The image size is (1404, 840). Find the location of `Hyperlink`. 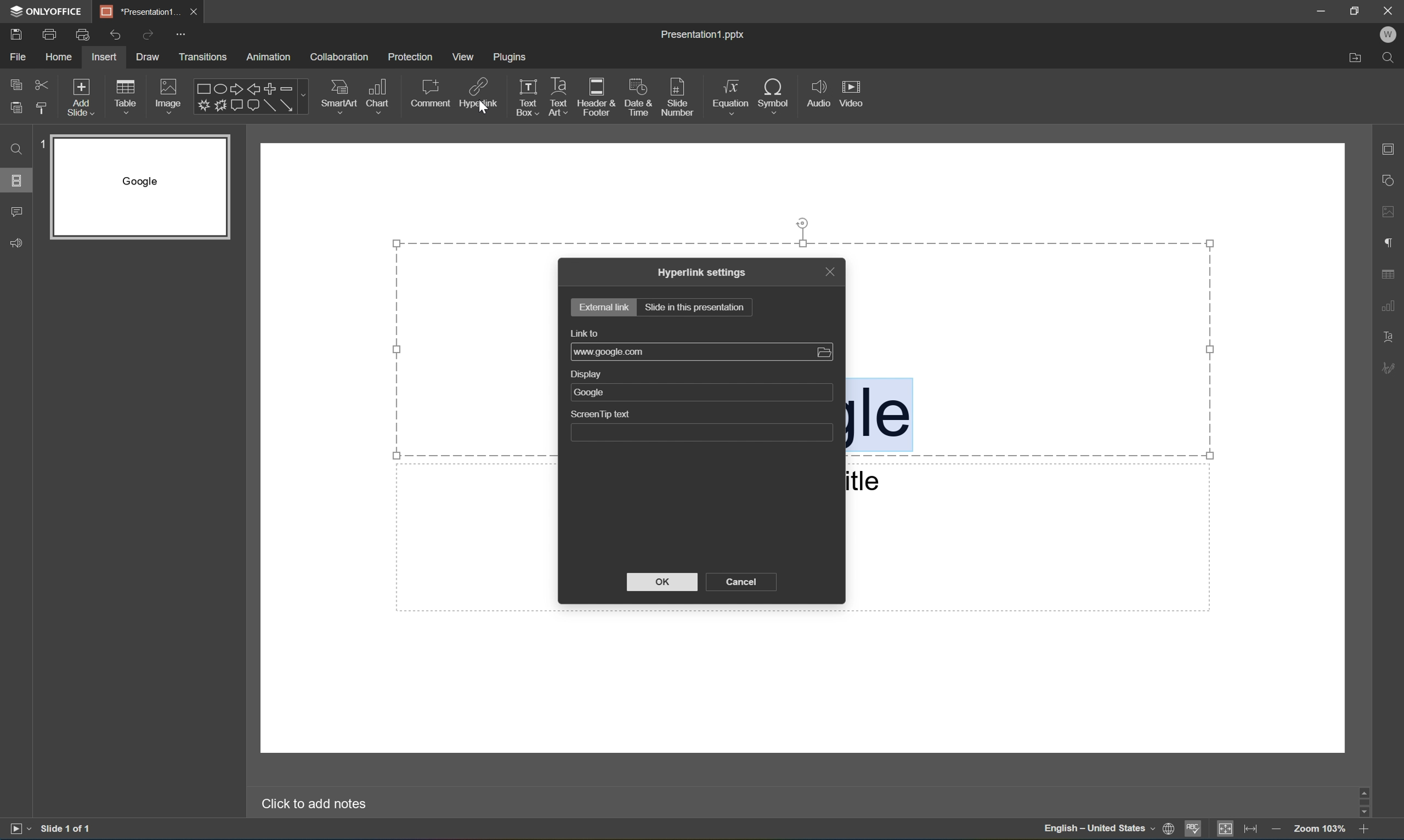

Hyperlink is located at coordinates (477, 95).